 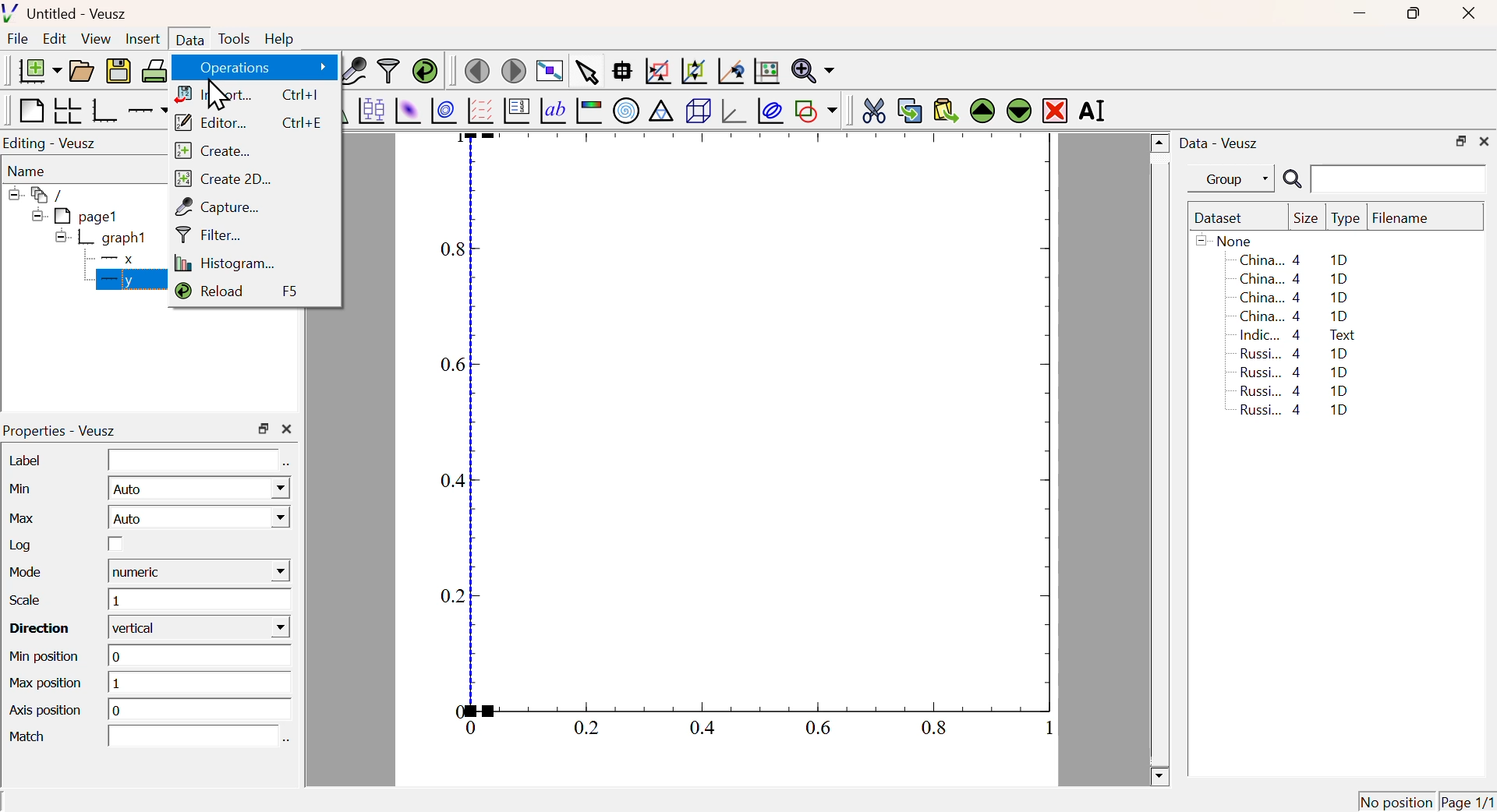 I want to click on 3D graph, so click(x=735, y=112).